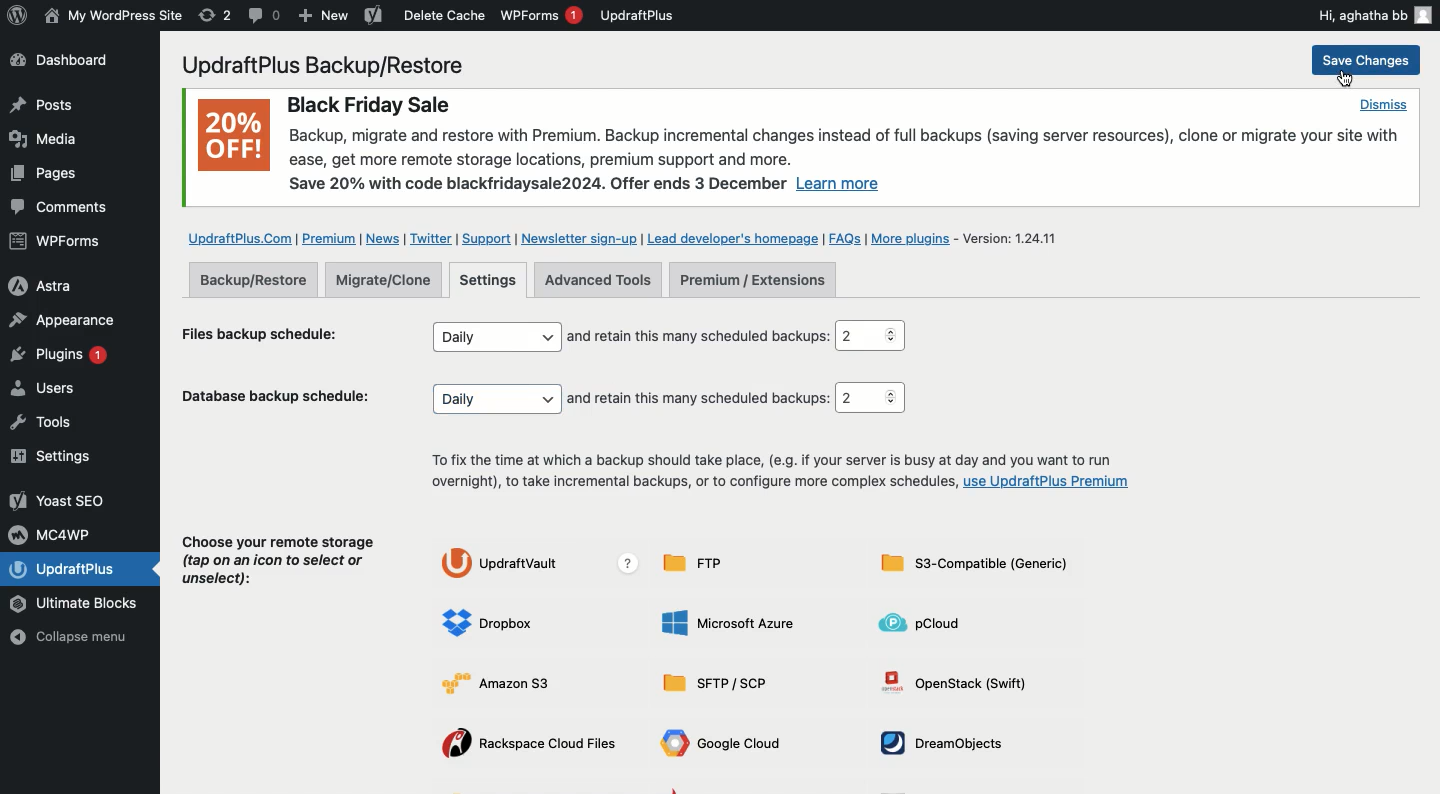 The image size is (1440, 794). What do you see at coordinates (845, 238) in the screenshot?
I see `FAQs` at bounding box center [845, 238].